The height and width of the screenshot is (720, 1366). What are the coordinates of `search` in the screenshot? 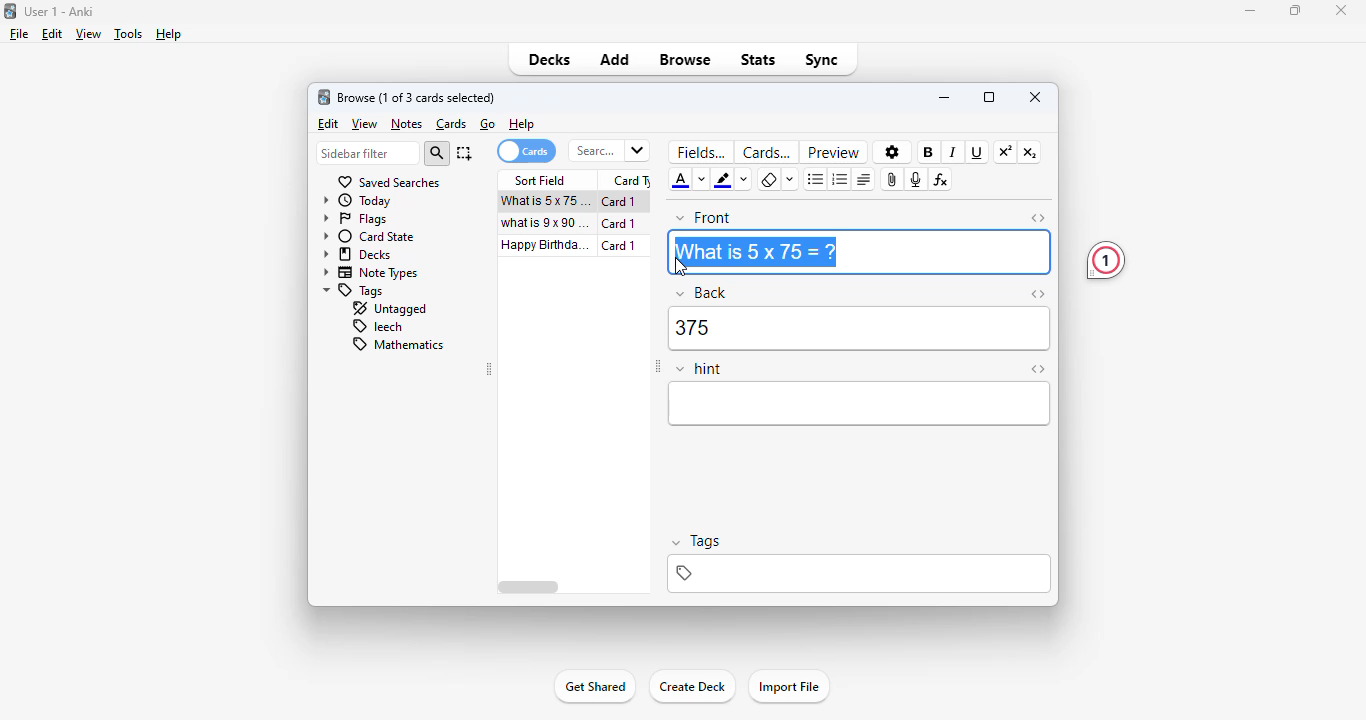 It's located at (610, 151).